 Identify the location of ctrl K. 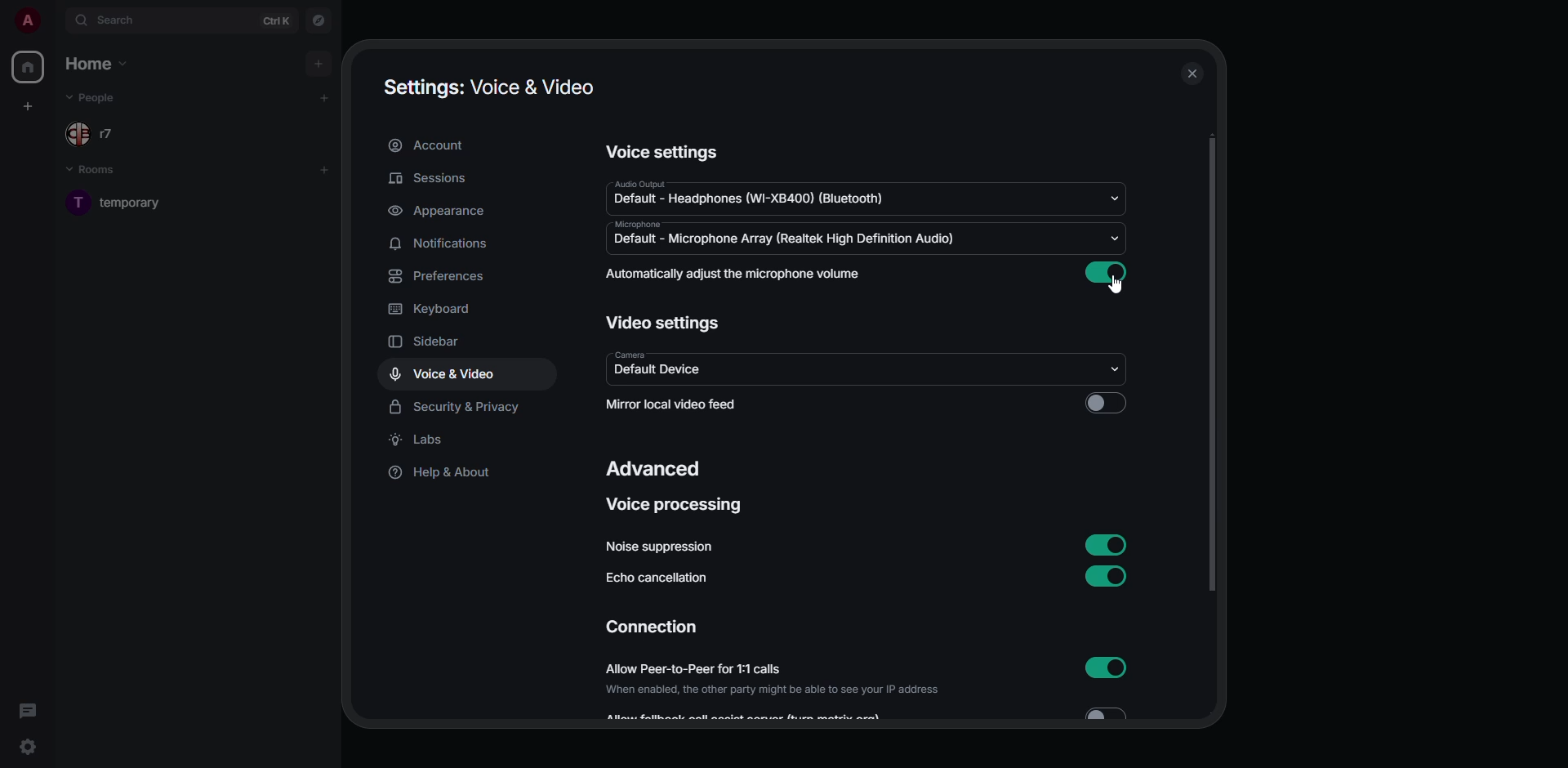
(279, 21).